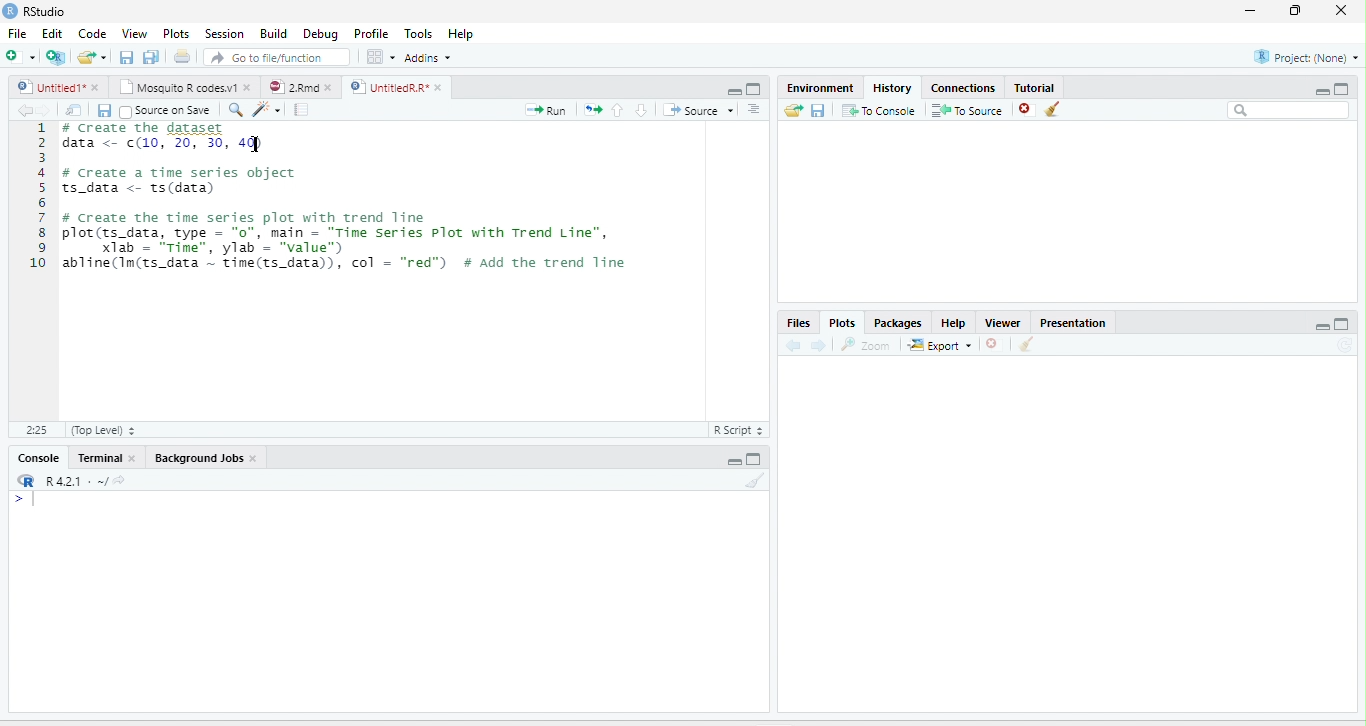 This screenshot has height=726, width=1366. Describe the element at coordinates (95, 87) in the screenshot. I see `close` at that location.